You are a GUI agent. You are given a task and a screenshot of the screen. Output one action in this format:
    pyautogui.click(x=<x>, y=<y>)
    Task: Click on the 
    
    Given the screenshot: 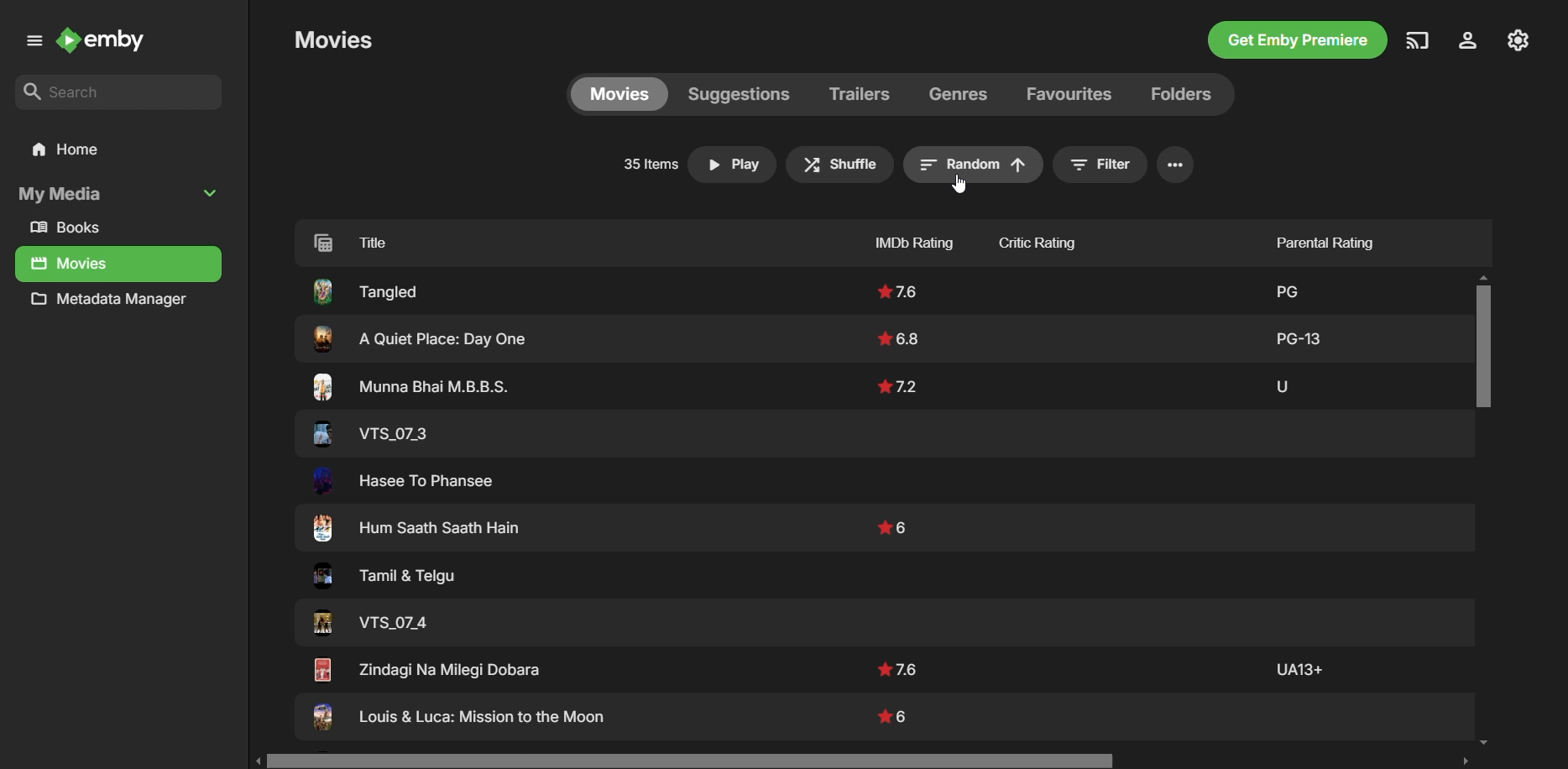 What is the action you would take?
    pyautogui.click(x=1283, y=288)
    